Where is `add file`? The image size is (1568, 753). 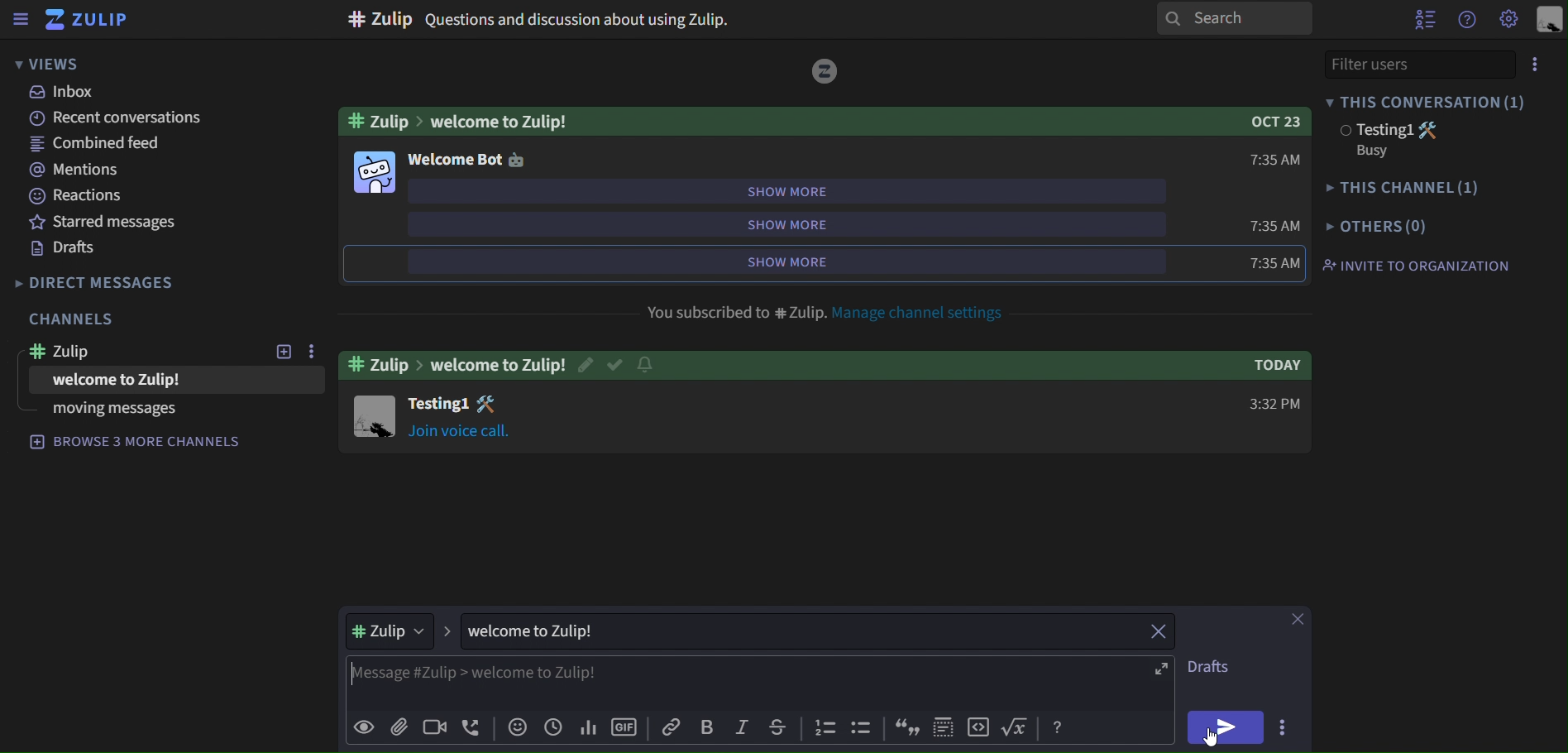 add file is located at coordinates (401, 727).